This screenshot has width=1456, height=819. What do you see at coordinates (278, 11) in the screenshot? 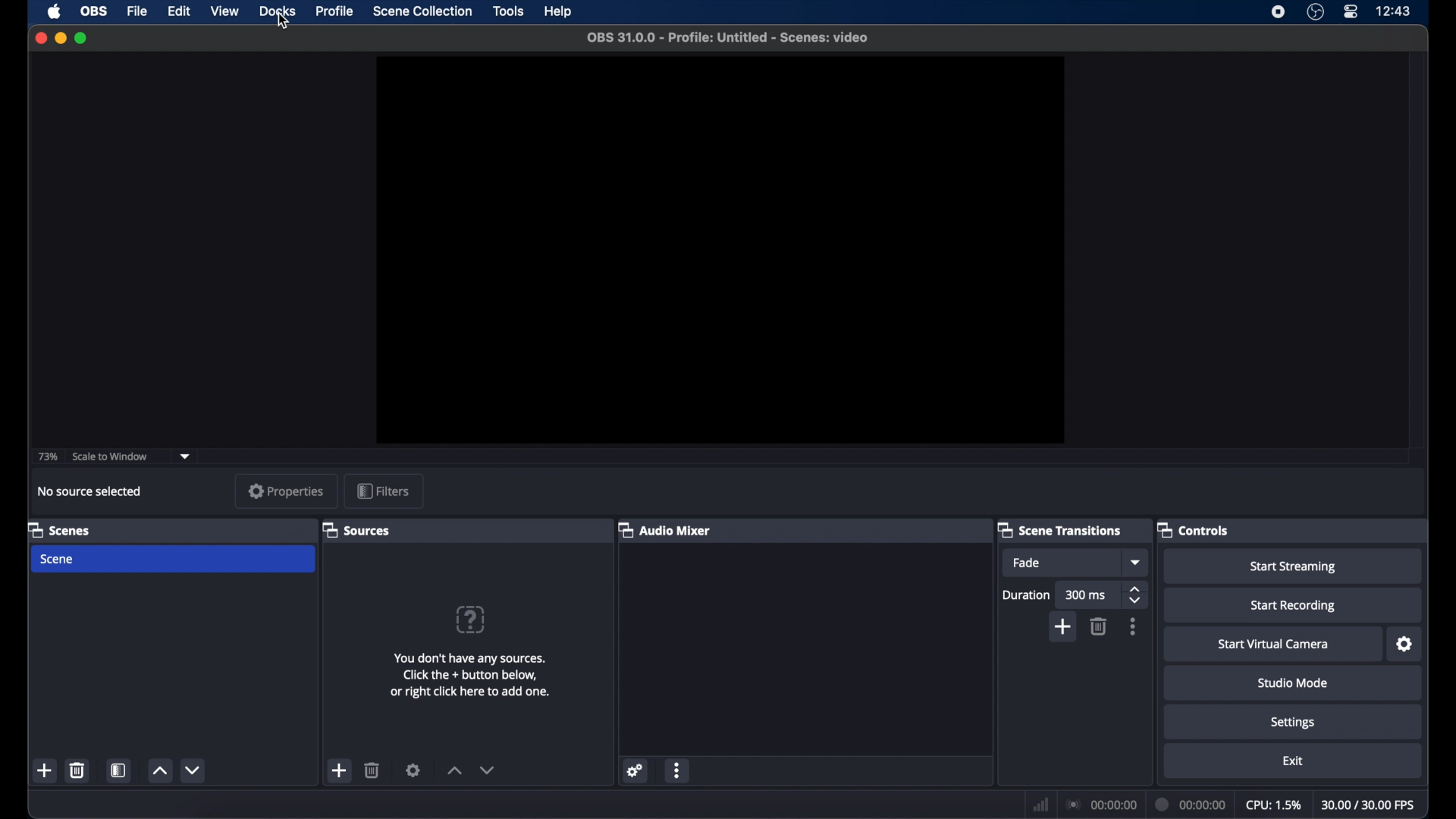
I see `docks` at bounding box center [278, 11].